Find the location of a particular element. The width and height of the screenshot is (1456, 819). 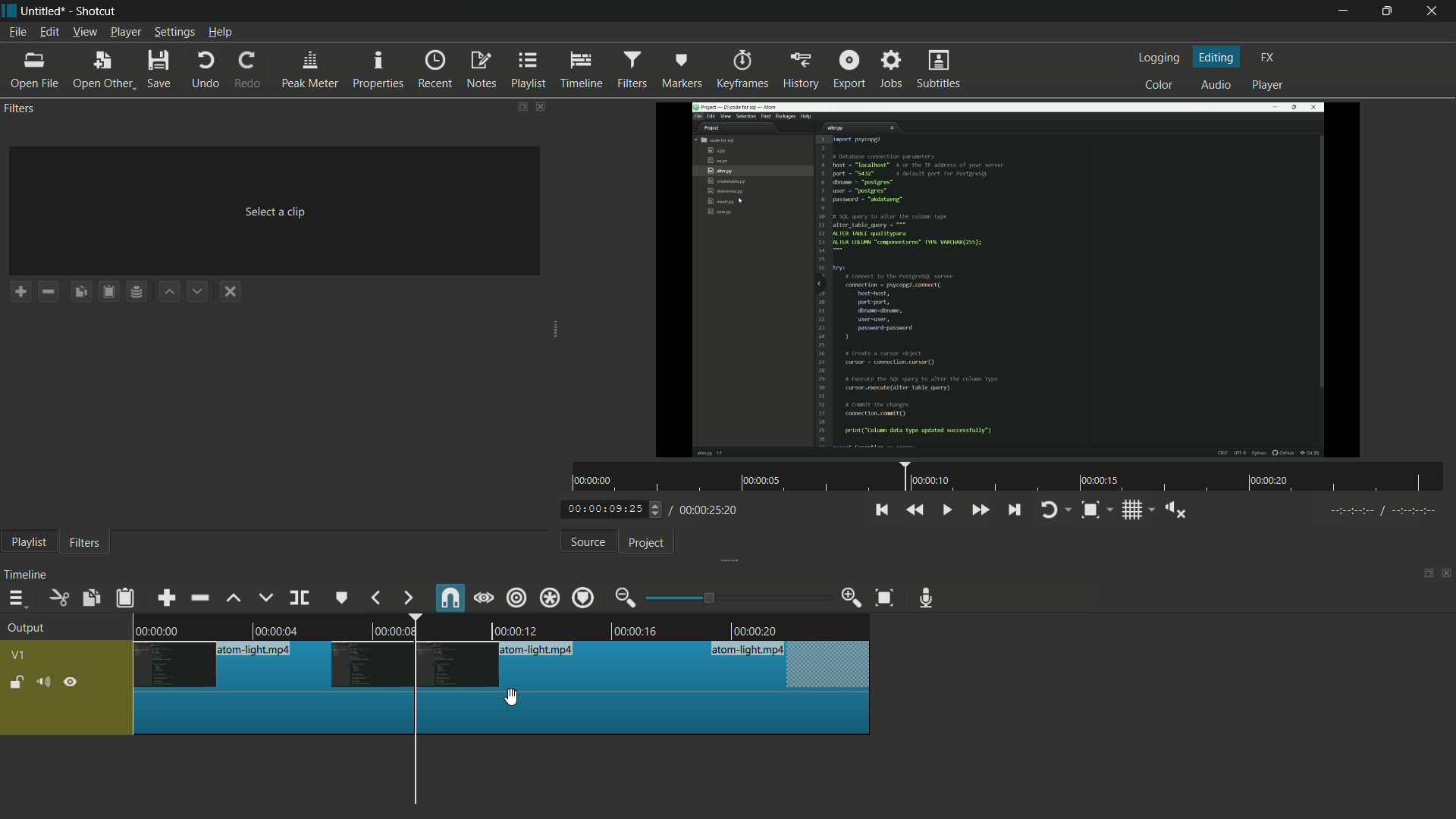

subtitles is located at coordinates (941, 71).